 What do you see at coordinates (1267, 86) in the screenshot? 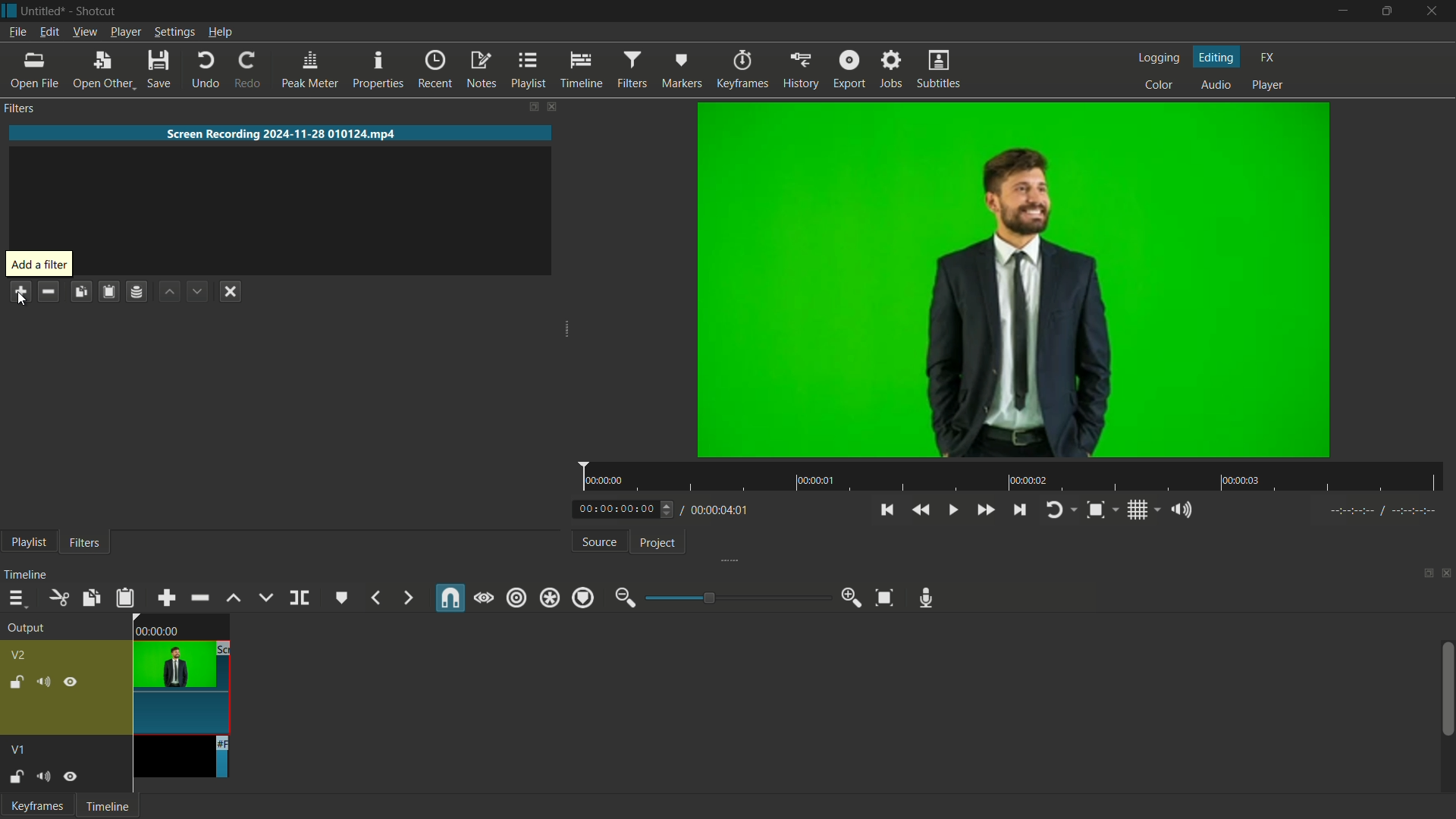
I see `player` at bounding box center [1267, 86].